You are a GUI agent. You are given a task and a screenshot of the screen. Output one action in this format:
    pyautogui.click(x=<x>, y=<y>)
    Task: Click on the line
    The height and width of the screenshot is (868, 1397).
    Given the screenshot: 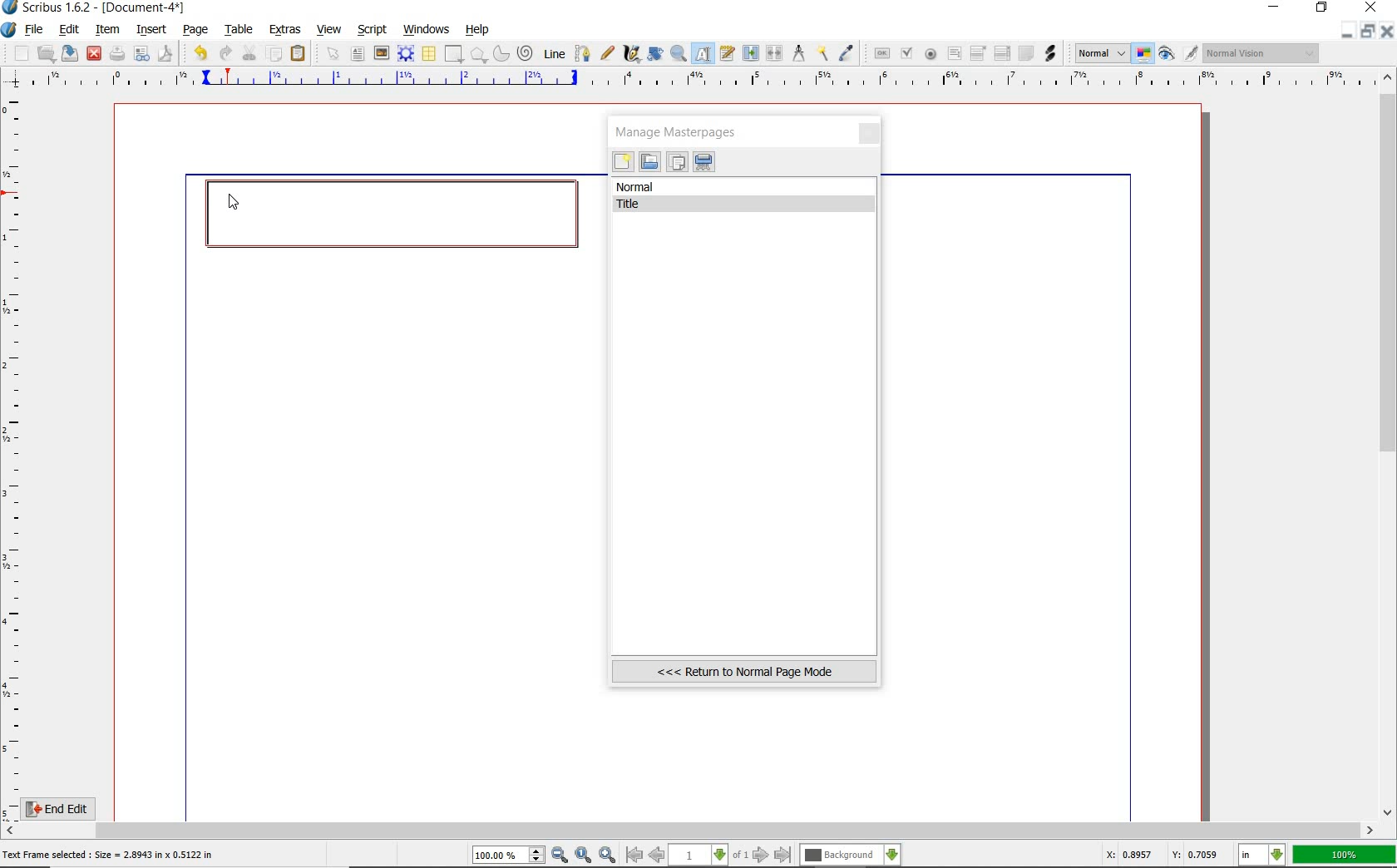 What is the action you would take?
    pyautogui.click(x=553, y=53)
    